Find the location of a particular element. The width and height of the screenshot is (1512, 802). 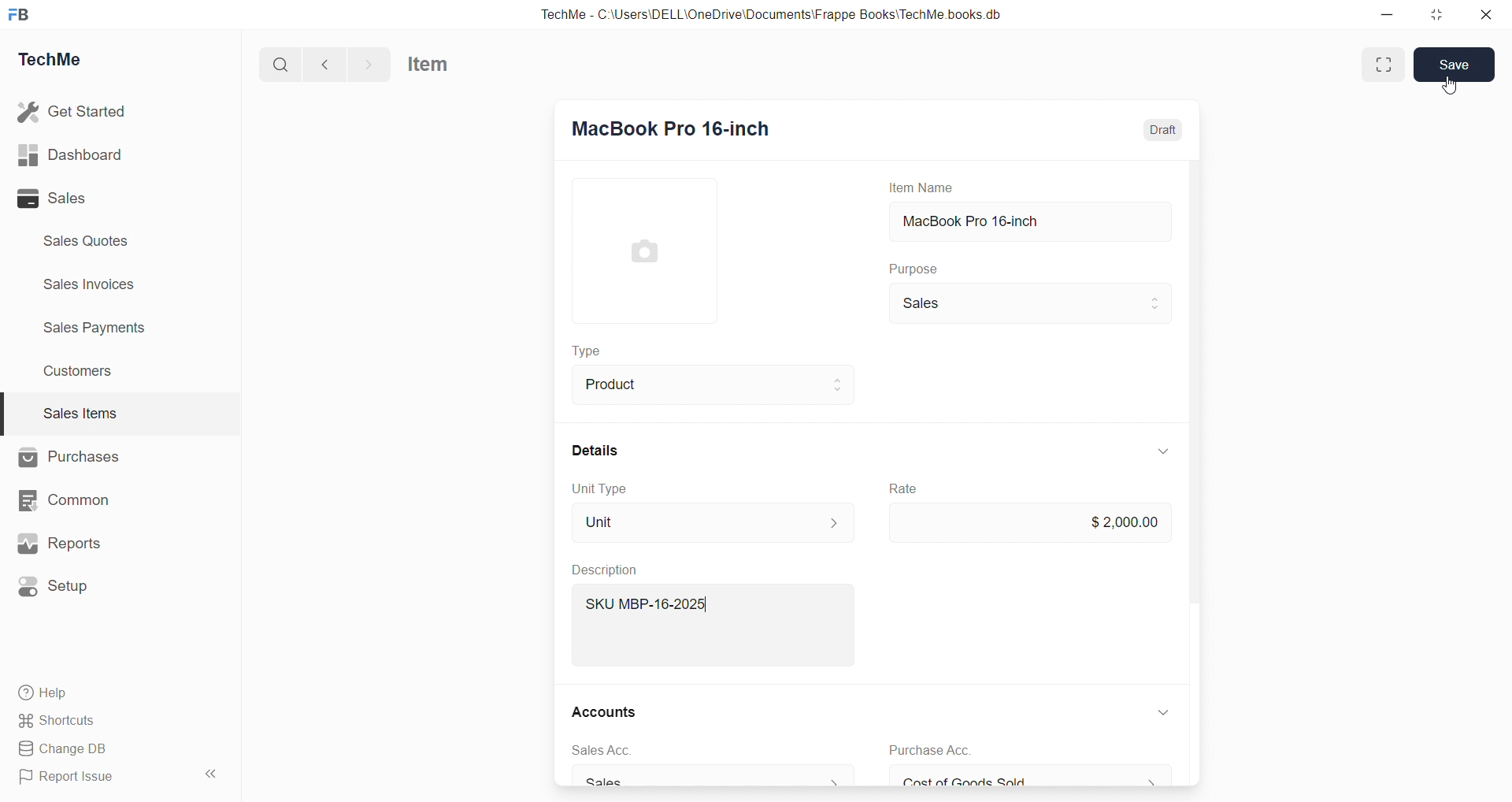

Sales invoices is located at coordinates (92, 284).